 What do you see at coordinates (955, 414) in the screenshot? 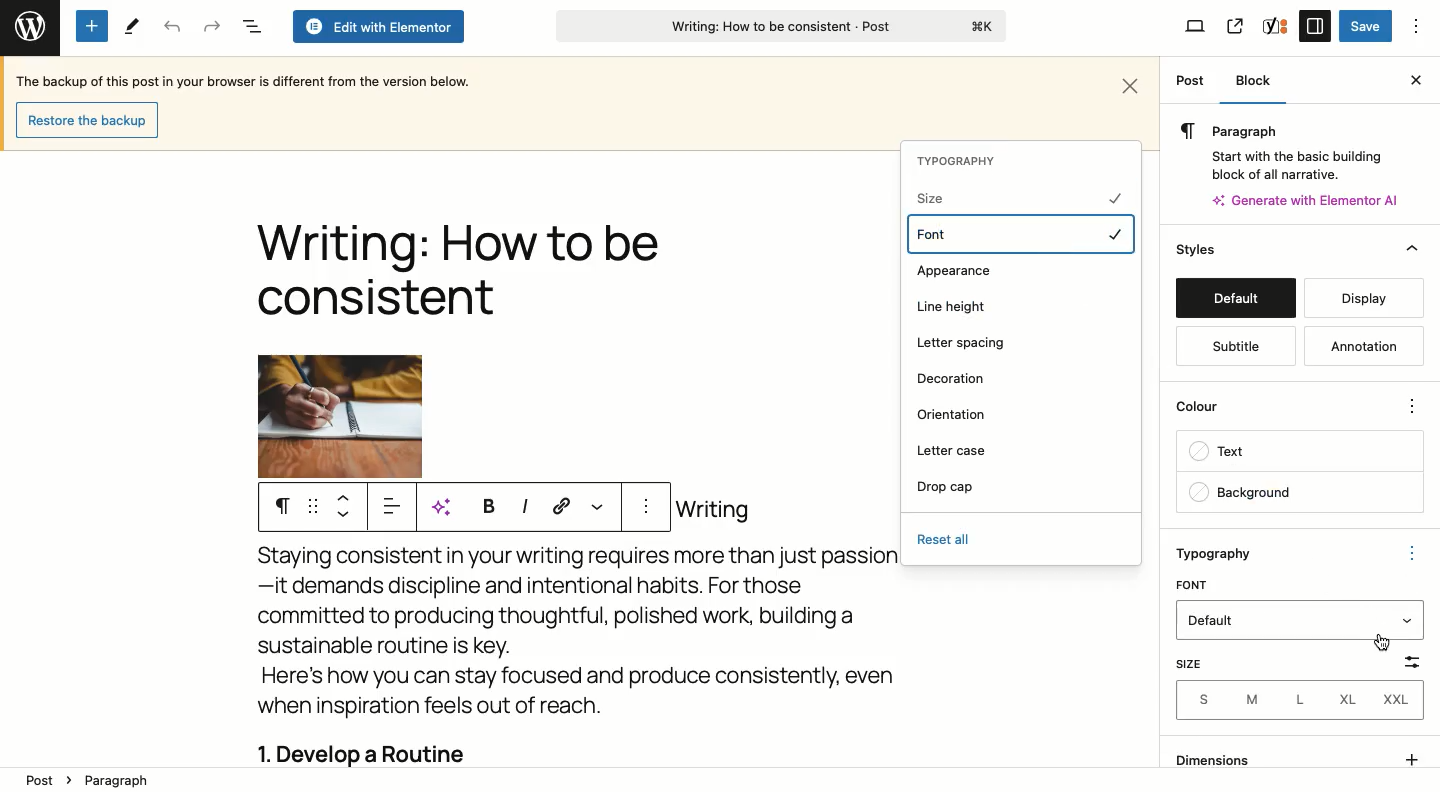
I see `Orientation` at bounding box center [955, 414].